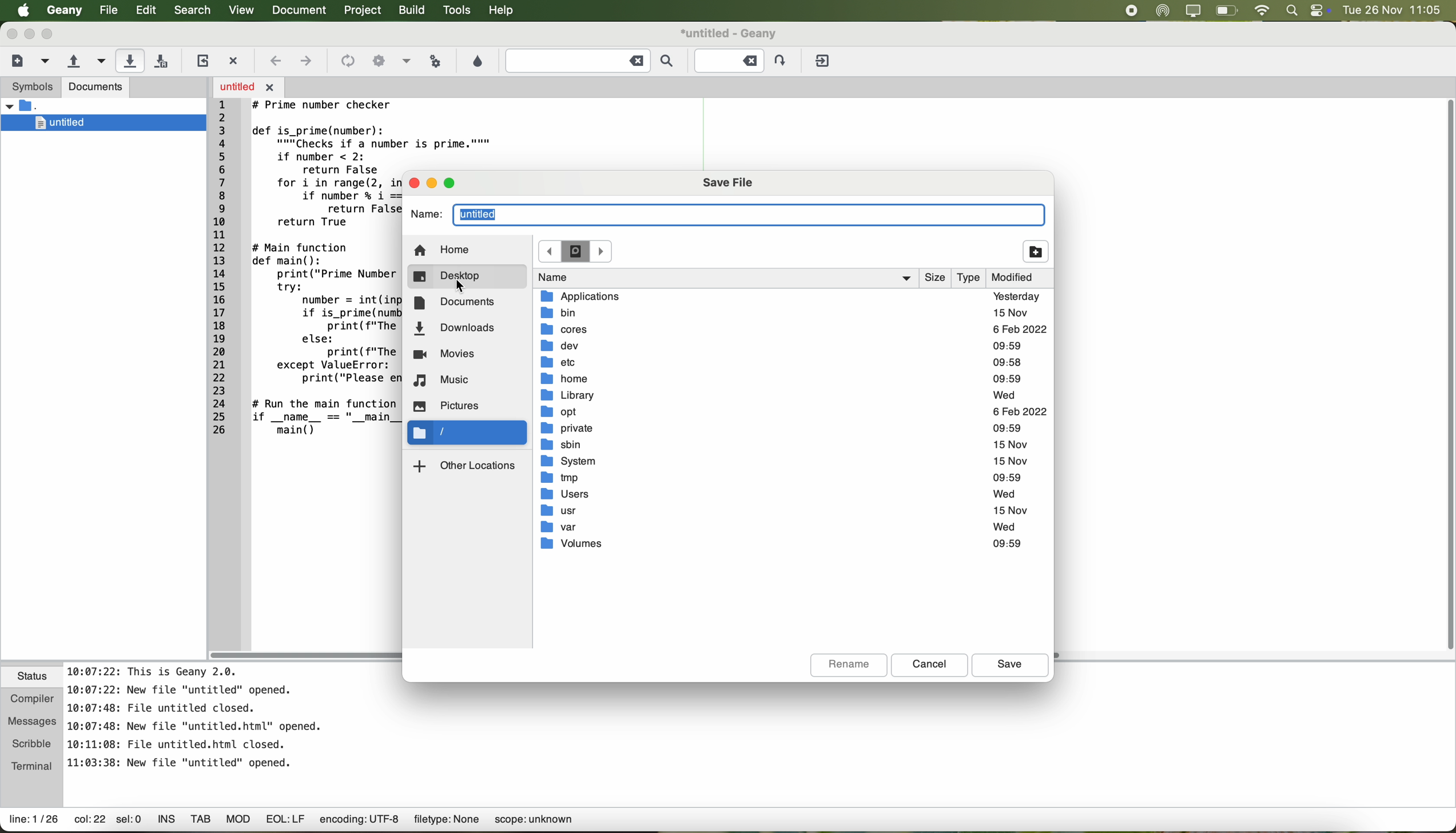 The width and height of the screenshot is (1456, 833). I want to click on folder, so click(39, 106).